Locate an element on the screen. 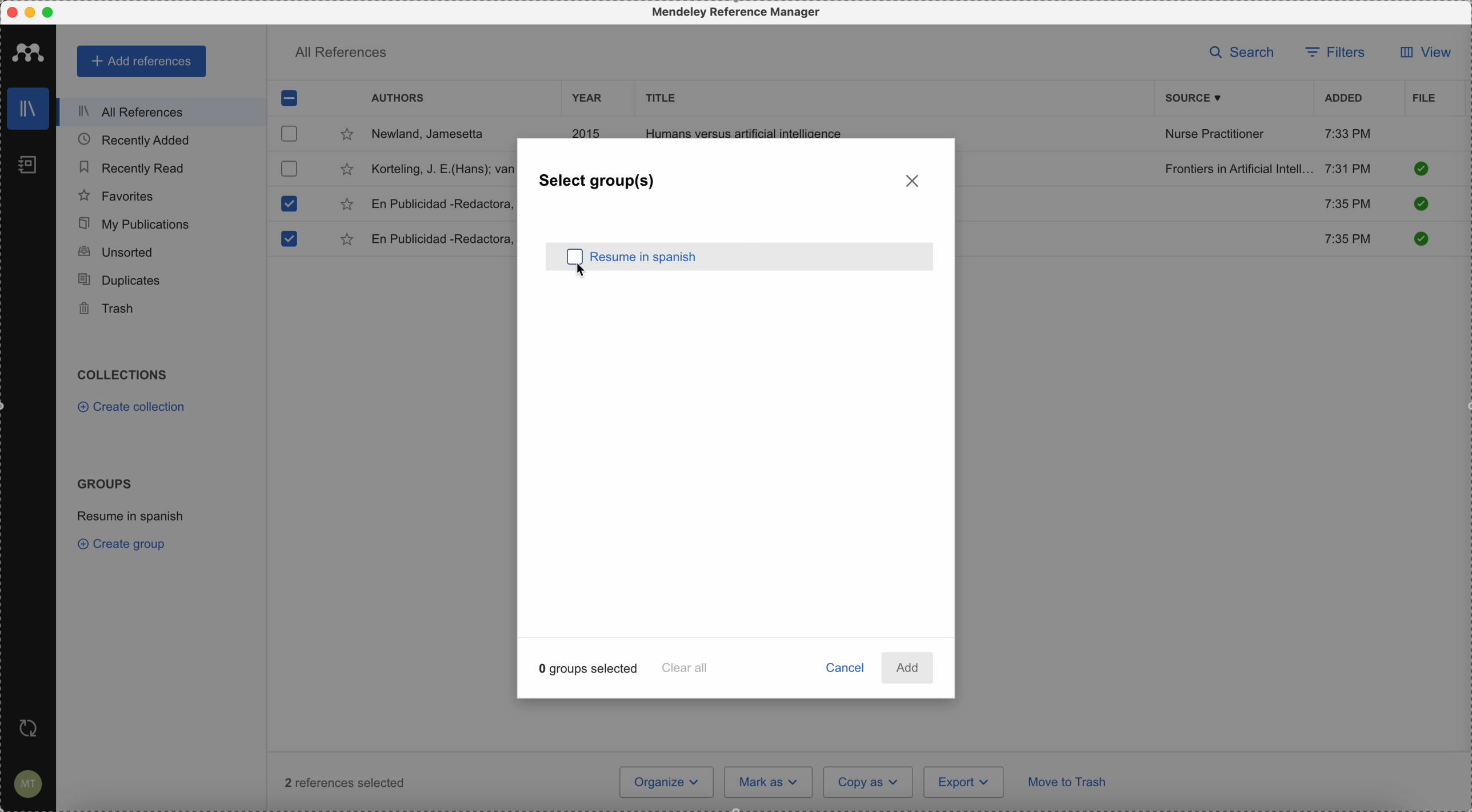 The width and height of the screenshot is (1472, 812). account settings is located at coordinates (26, 785).